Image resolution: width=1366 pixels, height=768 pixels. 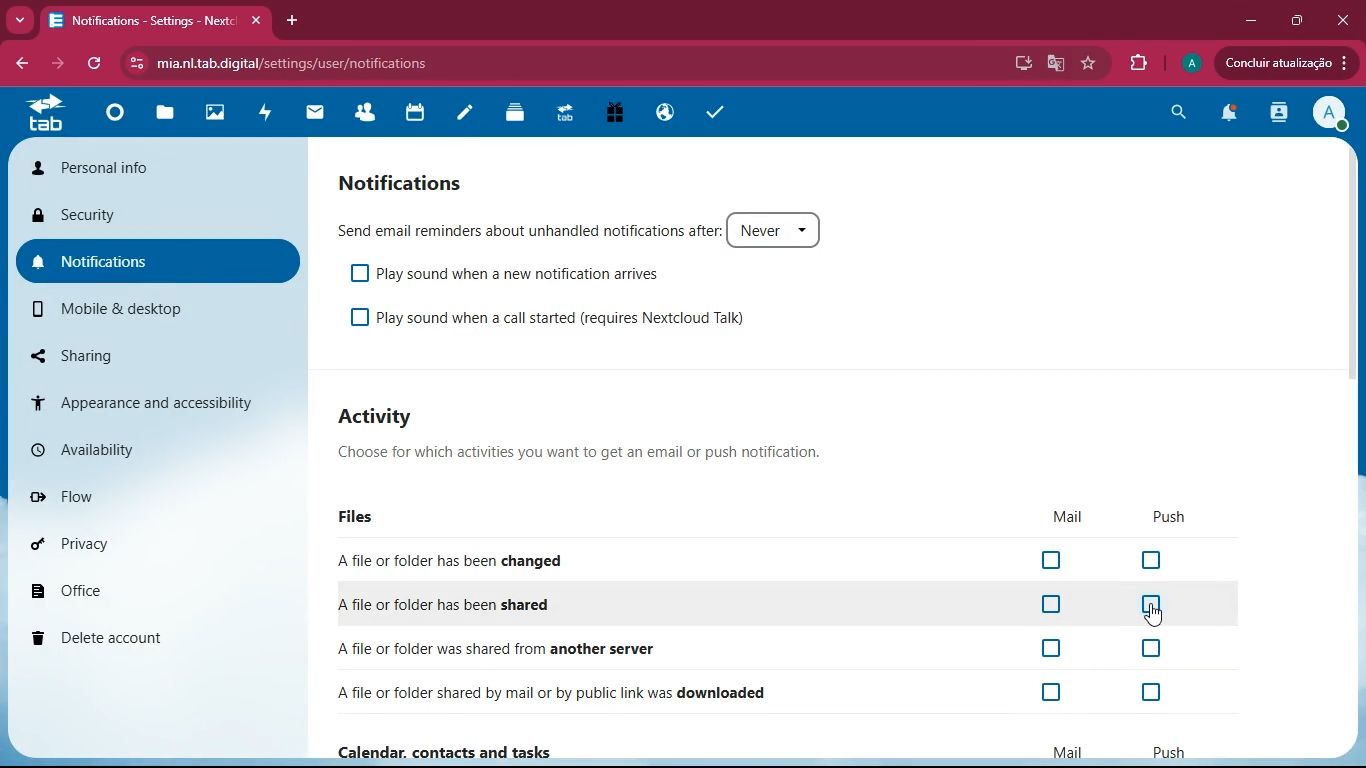 I want to click on shared, so click(x=480, y=605).